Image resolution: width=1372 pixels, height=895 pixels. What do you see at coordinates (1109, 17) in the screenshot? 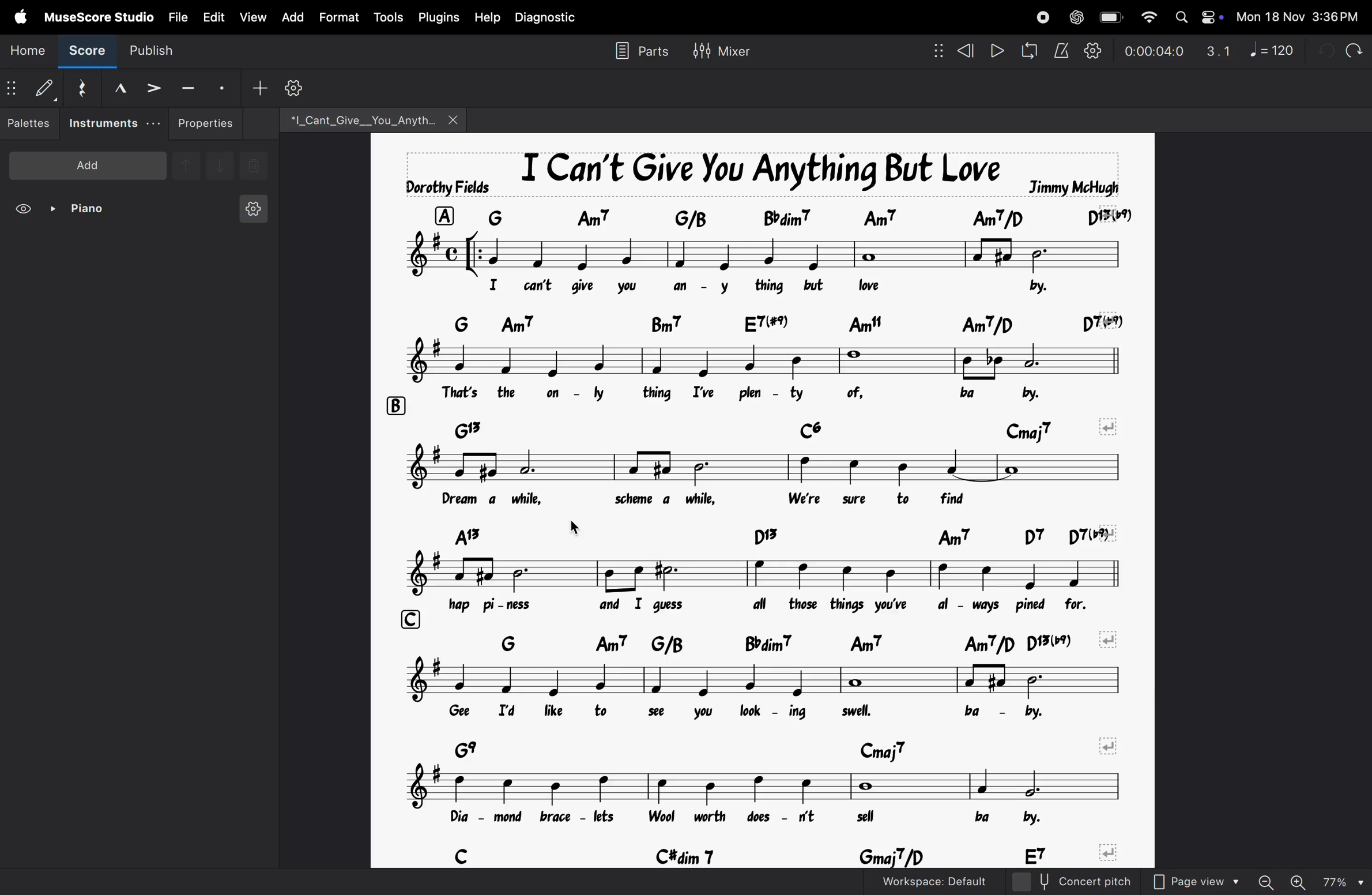
I see `battery` at bounding box center [1109, 17].